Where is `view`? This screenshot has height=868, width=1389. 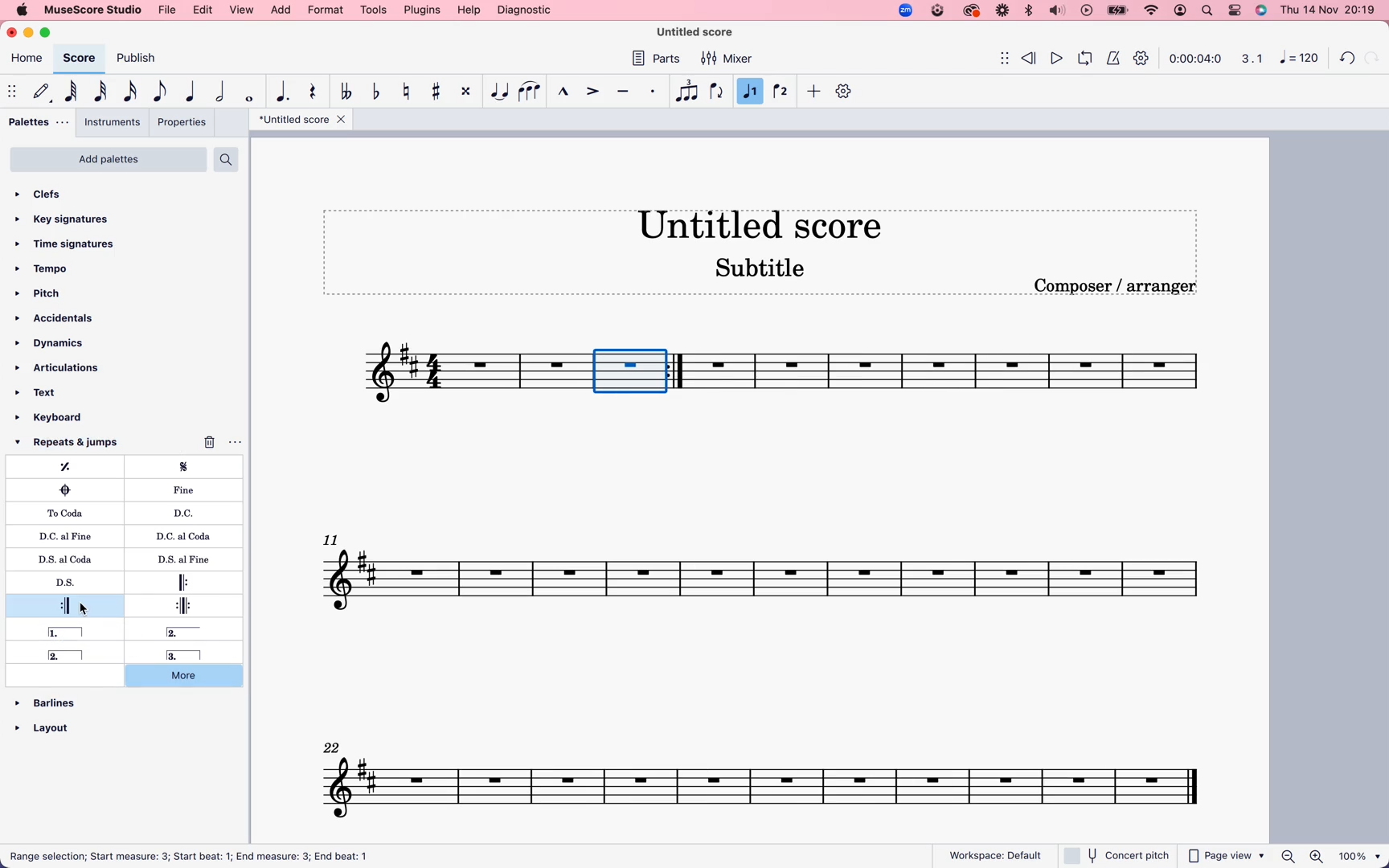 view is located at coordinates (243, 10).